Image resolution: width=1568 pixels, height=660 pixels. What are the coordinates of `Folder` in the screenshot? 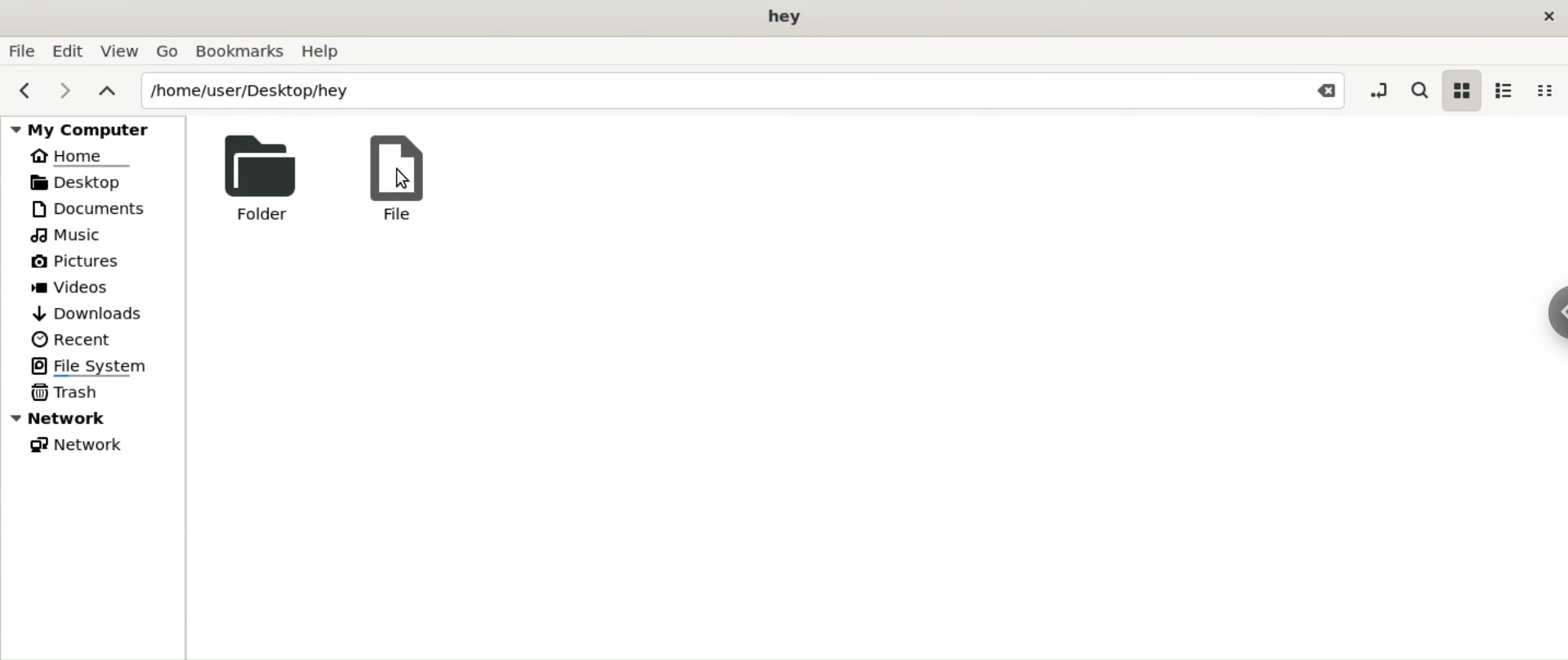 It's located at (267, 178).